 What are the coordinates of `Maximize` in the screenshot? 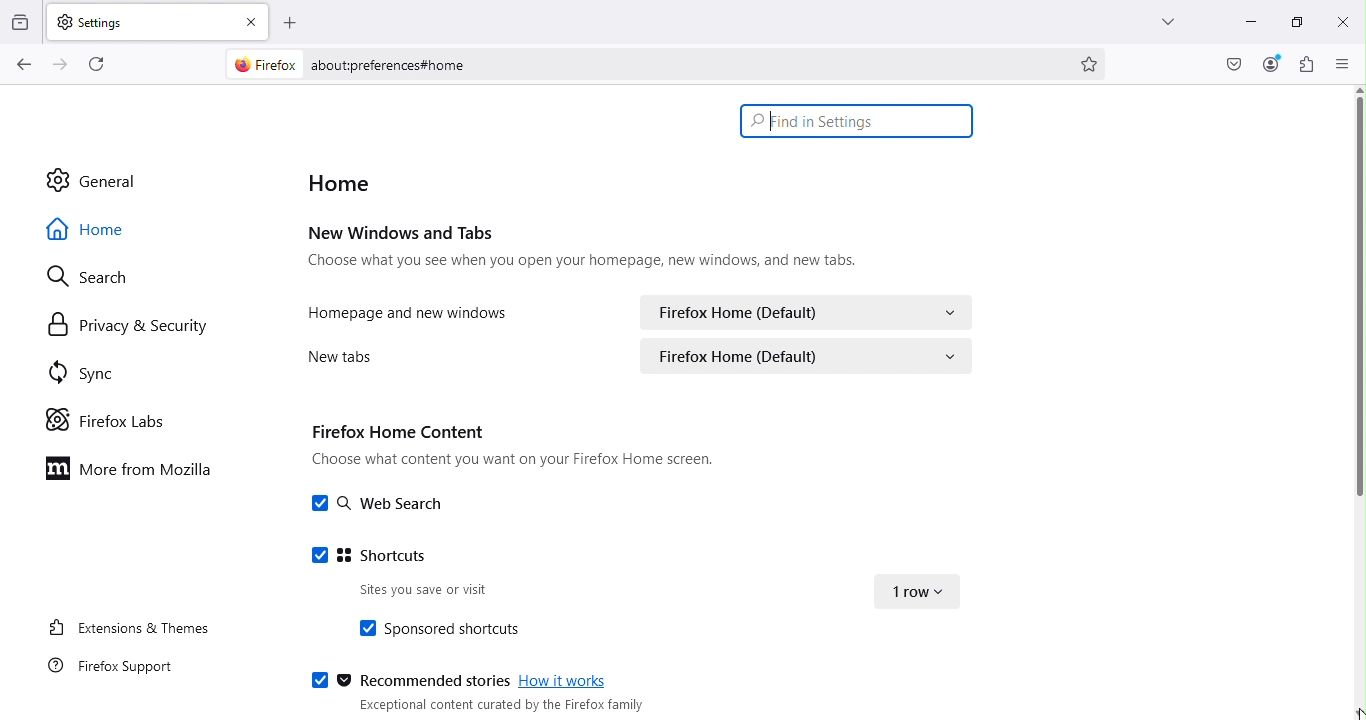 It's located at (1289, 22).